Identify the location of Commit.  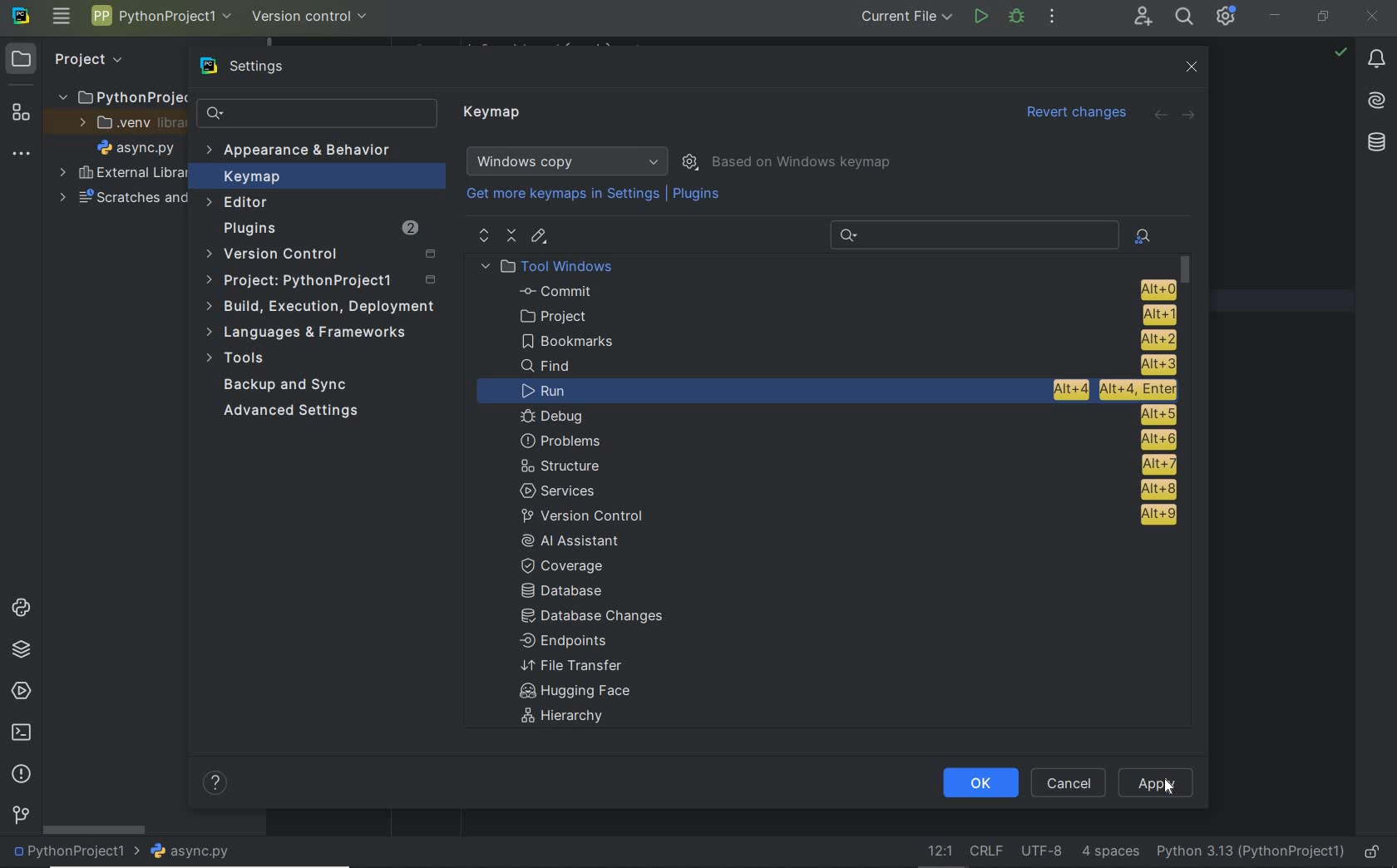
(844, 291).